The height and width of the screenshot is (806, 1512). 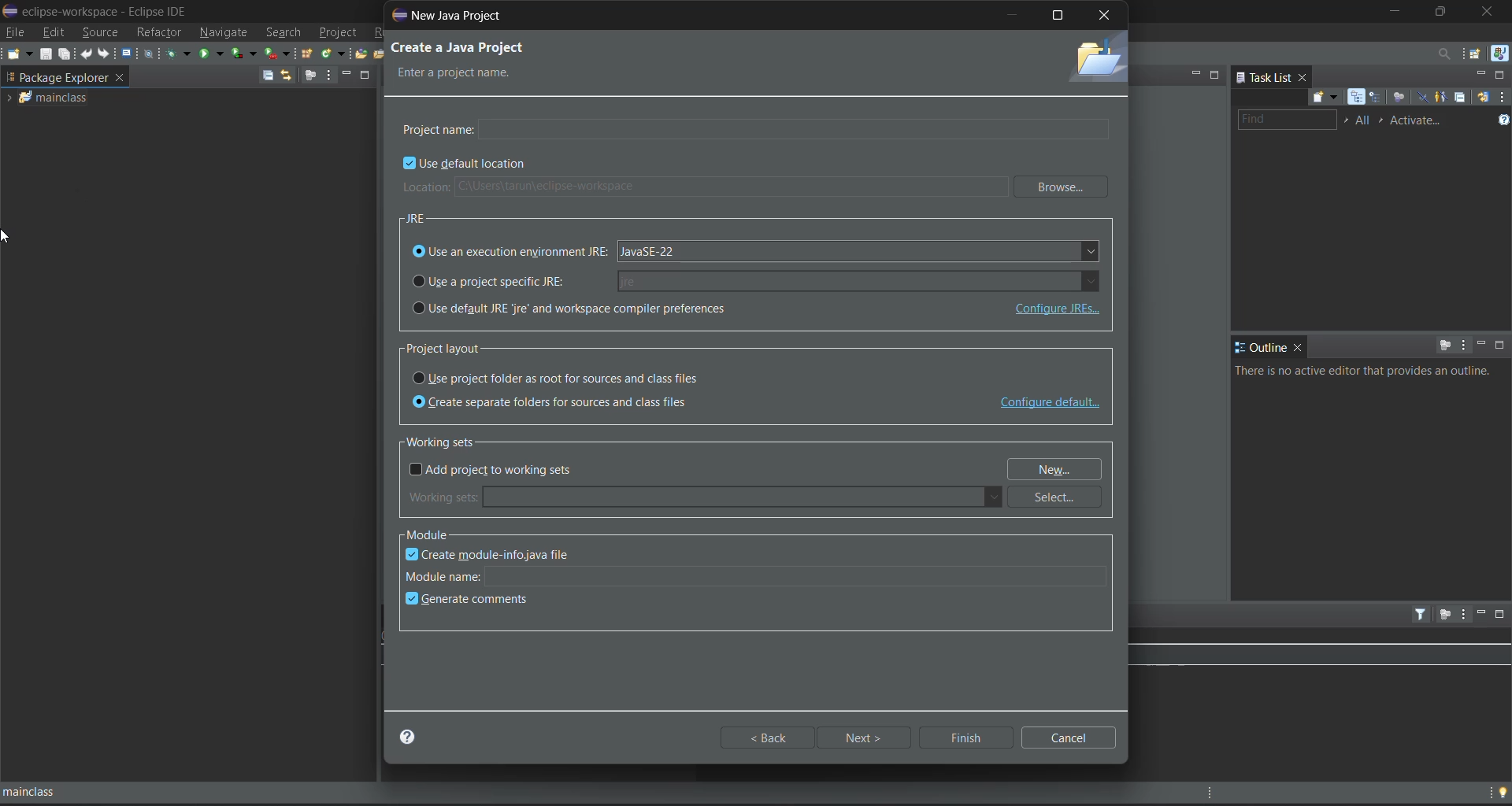 I want to click on tip of the day, so click(x=1502, y=790).